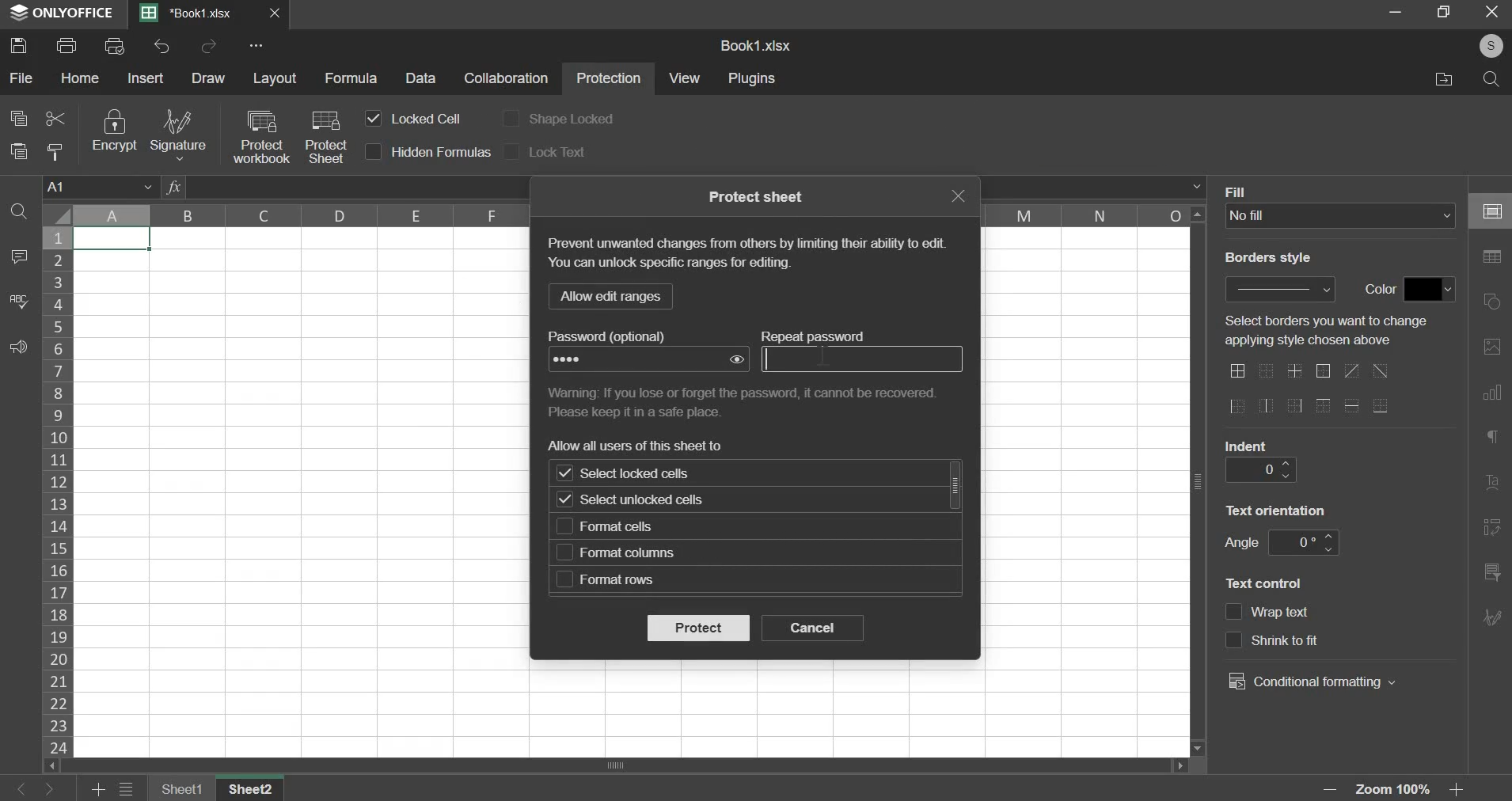 The width and height of the screenshot is (1512, 801). Describe the element at coordinates (754, 79) in the screenshot. I see `plugins` at that location.